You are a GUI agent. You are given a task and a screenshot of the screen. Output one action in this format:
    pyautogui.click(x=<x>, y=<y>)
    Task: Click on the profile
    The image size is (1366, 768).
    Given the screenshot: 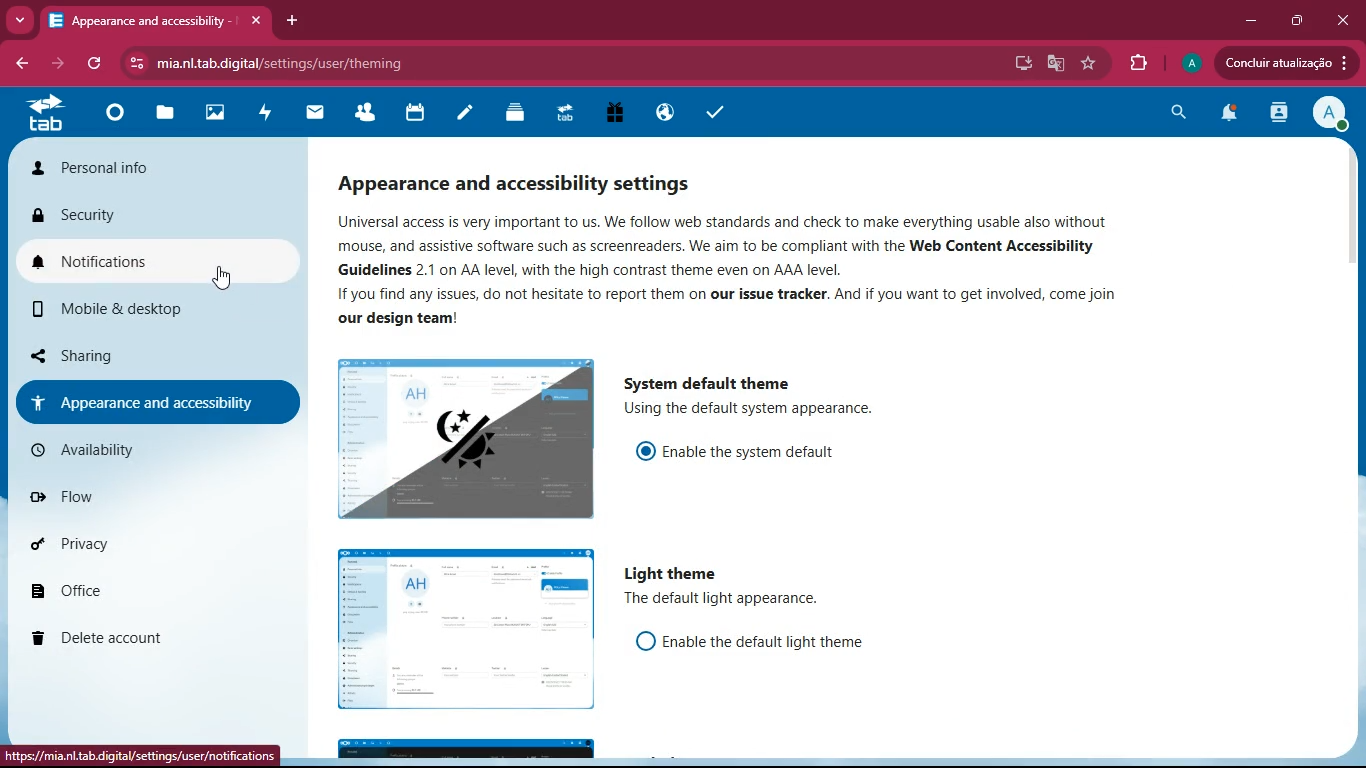 What is the action you would take?
    pyautogui.click(x=1331, y=113)
    